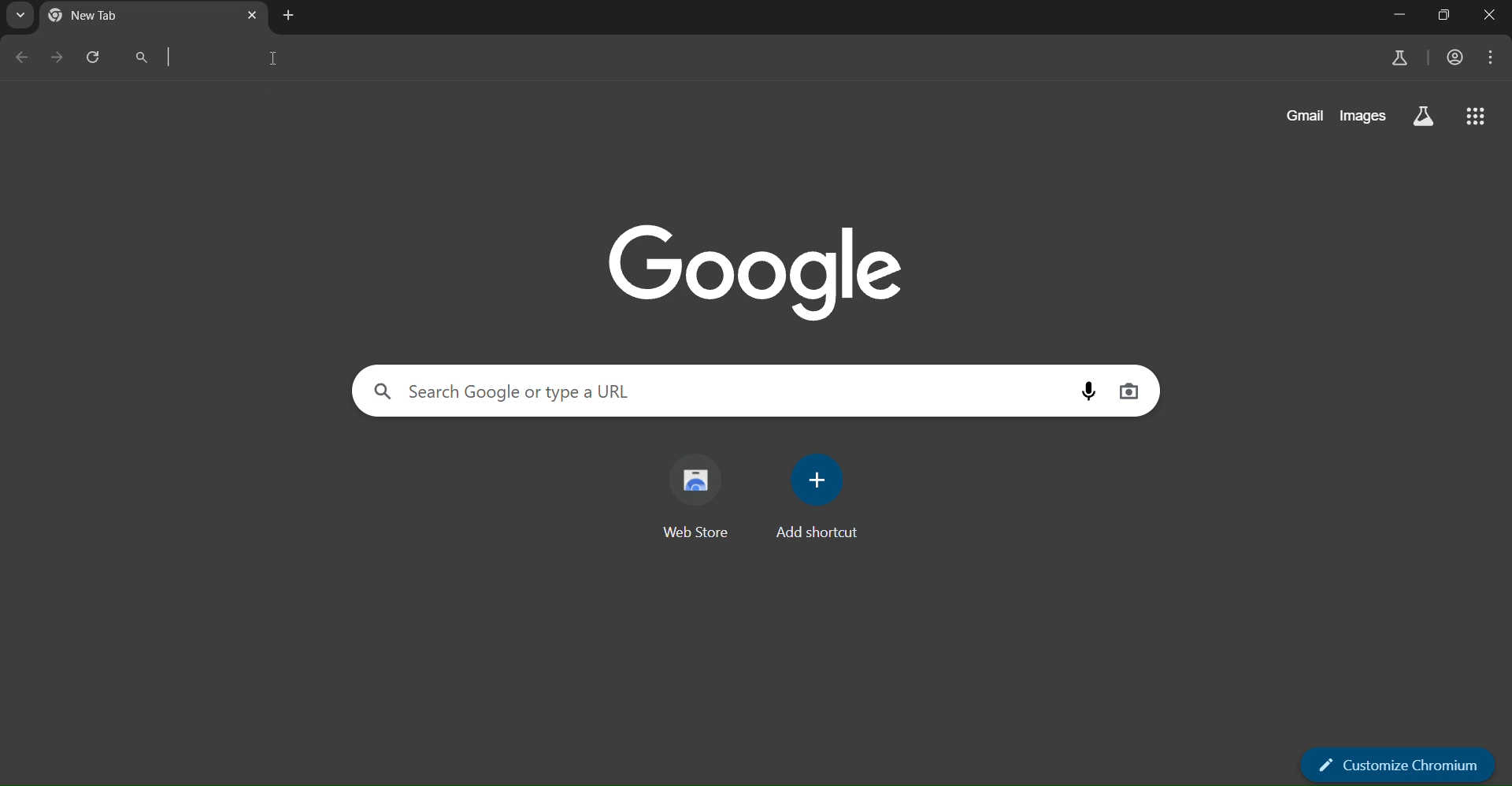 This screenshot has width=1512, height=786. What do you see at coordinates (1444, 14) in the screenshot?
I see `restore down` at bounding box center [1444, 14].